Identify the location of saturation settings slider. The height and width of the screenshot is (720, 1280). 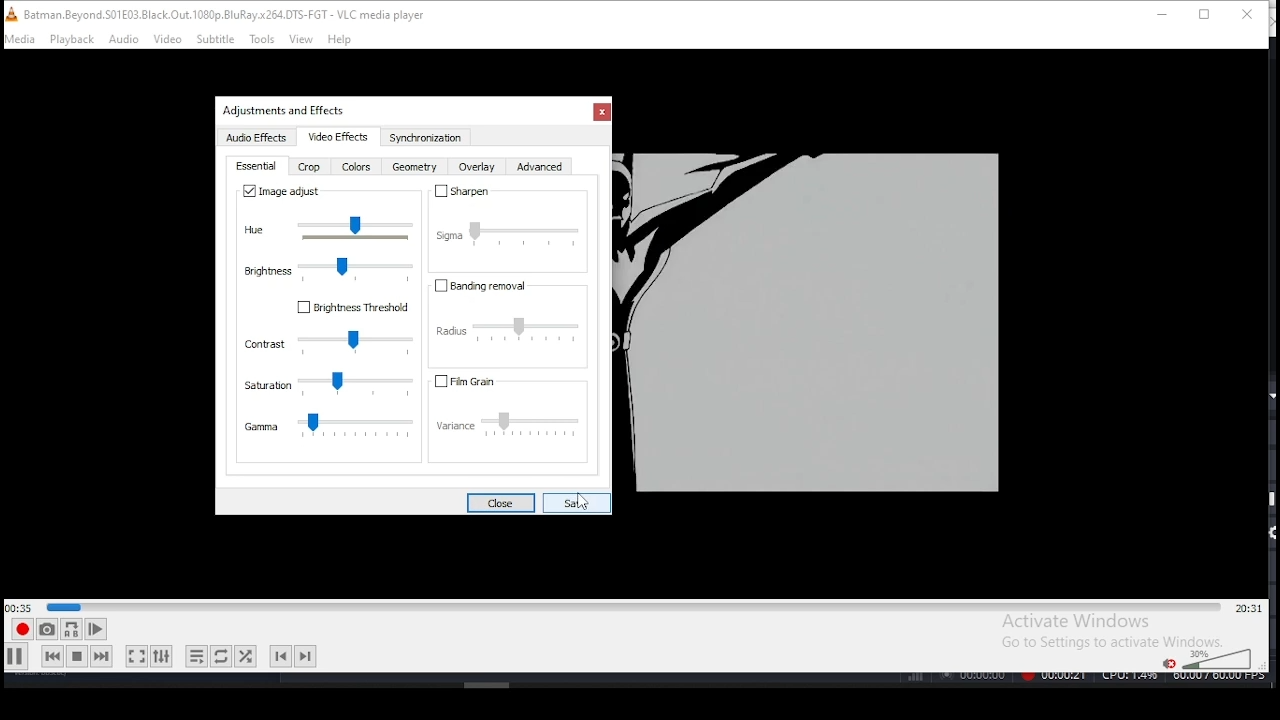
(328, 385).